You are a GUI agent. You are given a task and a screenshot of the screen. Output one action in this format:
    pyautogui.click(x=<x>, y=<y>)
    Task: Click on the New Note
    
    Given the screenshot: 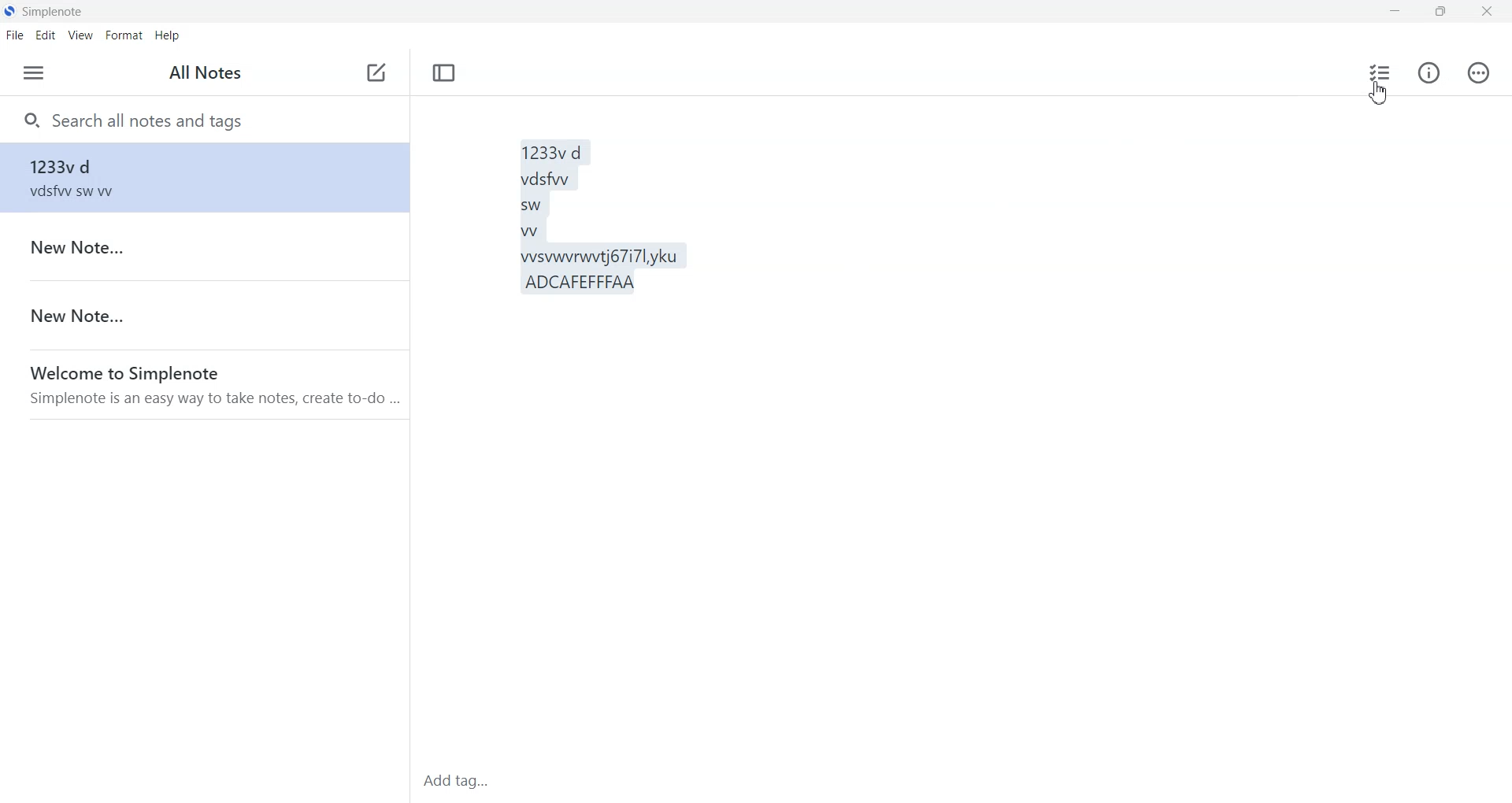 What is the action you would take?
    pyautogui.click(x=204, y=315)
    